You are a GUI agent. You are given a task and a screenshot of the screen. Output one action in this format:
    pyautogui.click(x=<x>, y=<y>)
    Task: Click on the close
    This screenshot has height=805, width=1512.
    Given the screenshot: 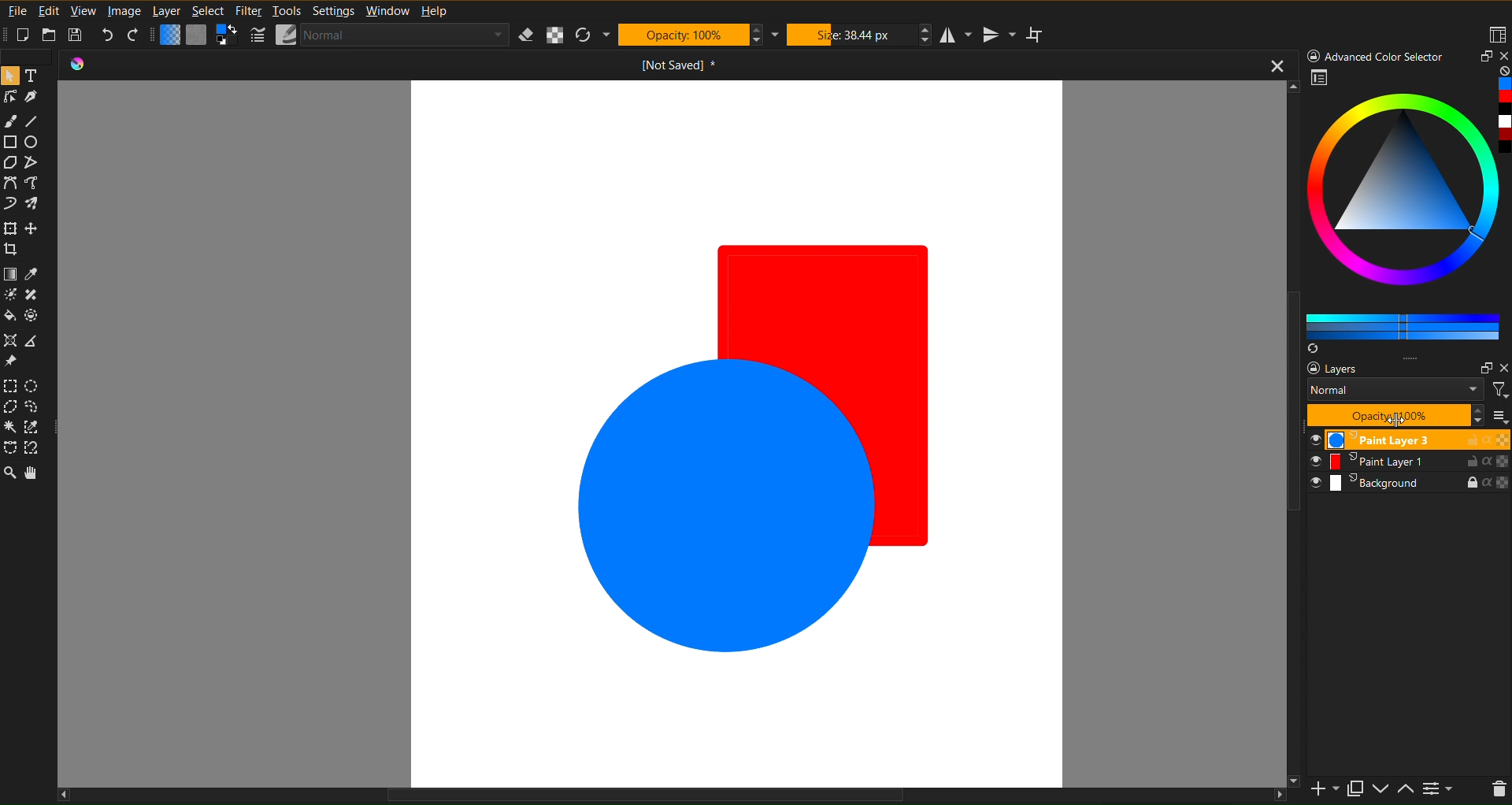 What is the action you would take?
    pyautogui.click(x=1503, y=57)
    